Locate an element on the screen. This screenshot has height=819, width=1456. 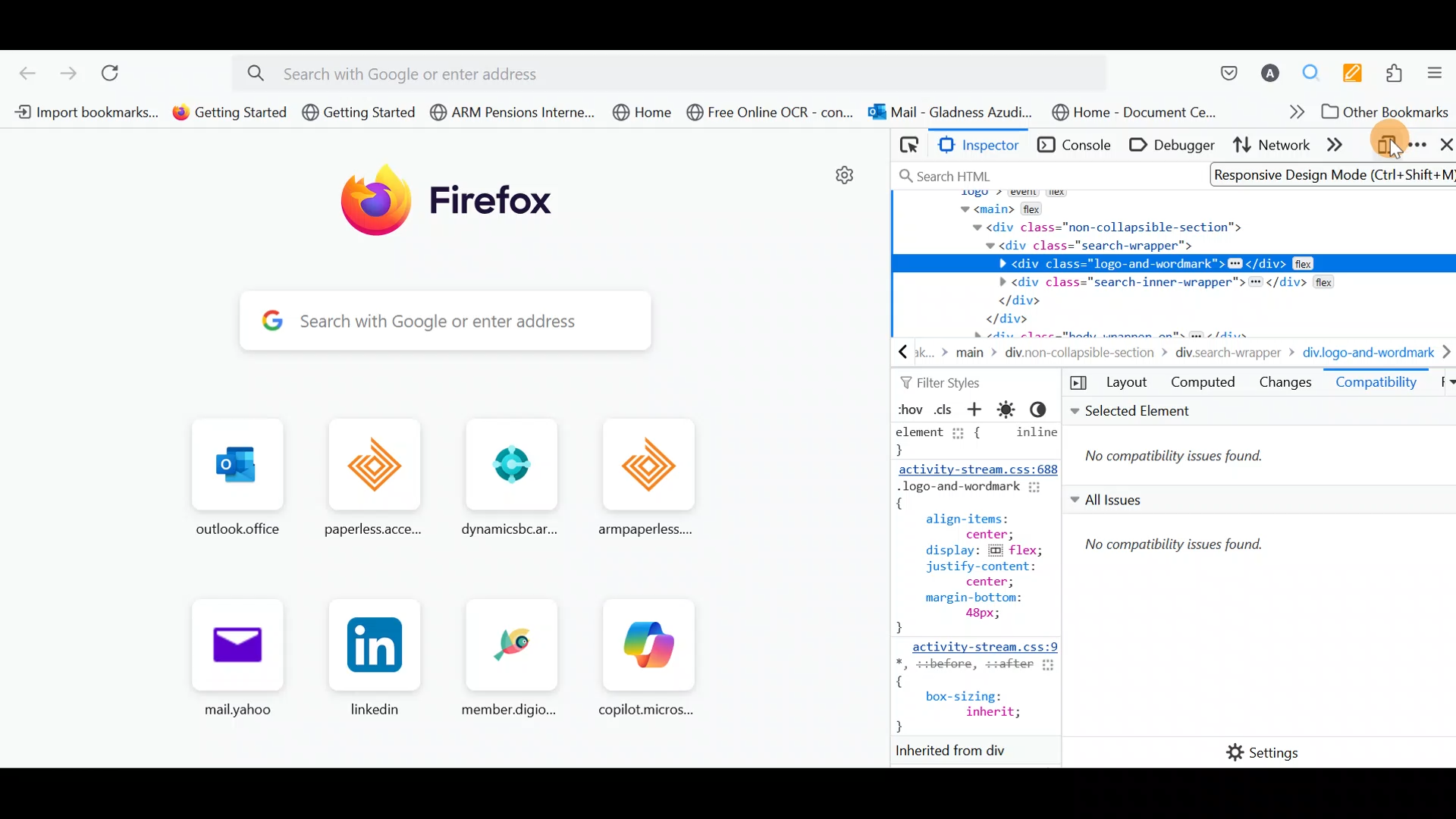
Search bar is located at coordinates (1039, 173).